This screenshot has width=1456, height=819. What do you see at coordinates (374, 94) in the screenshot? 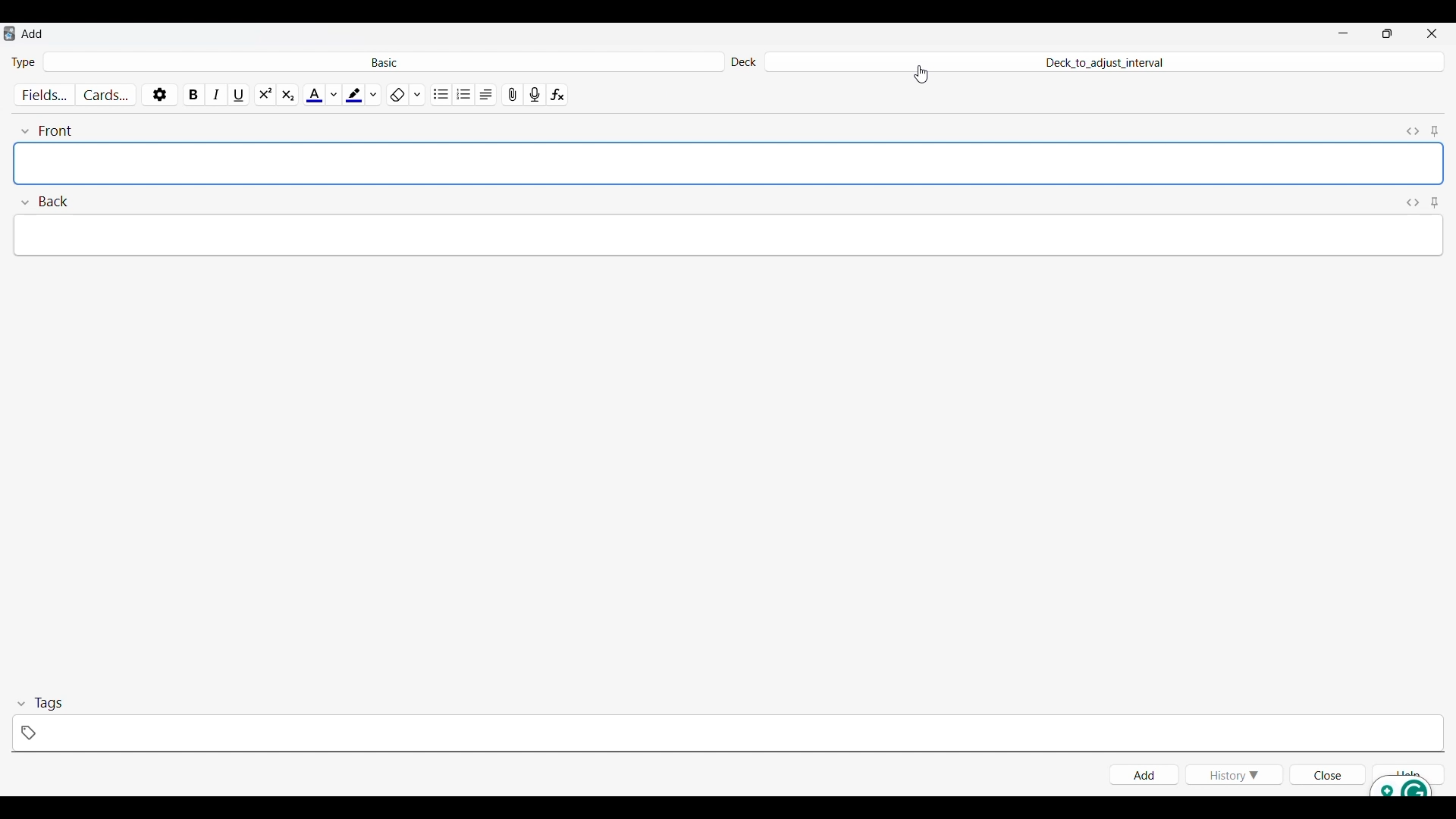
I see `Highlight color options` at bounding box center [374, 94].